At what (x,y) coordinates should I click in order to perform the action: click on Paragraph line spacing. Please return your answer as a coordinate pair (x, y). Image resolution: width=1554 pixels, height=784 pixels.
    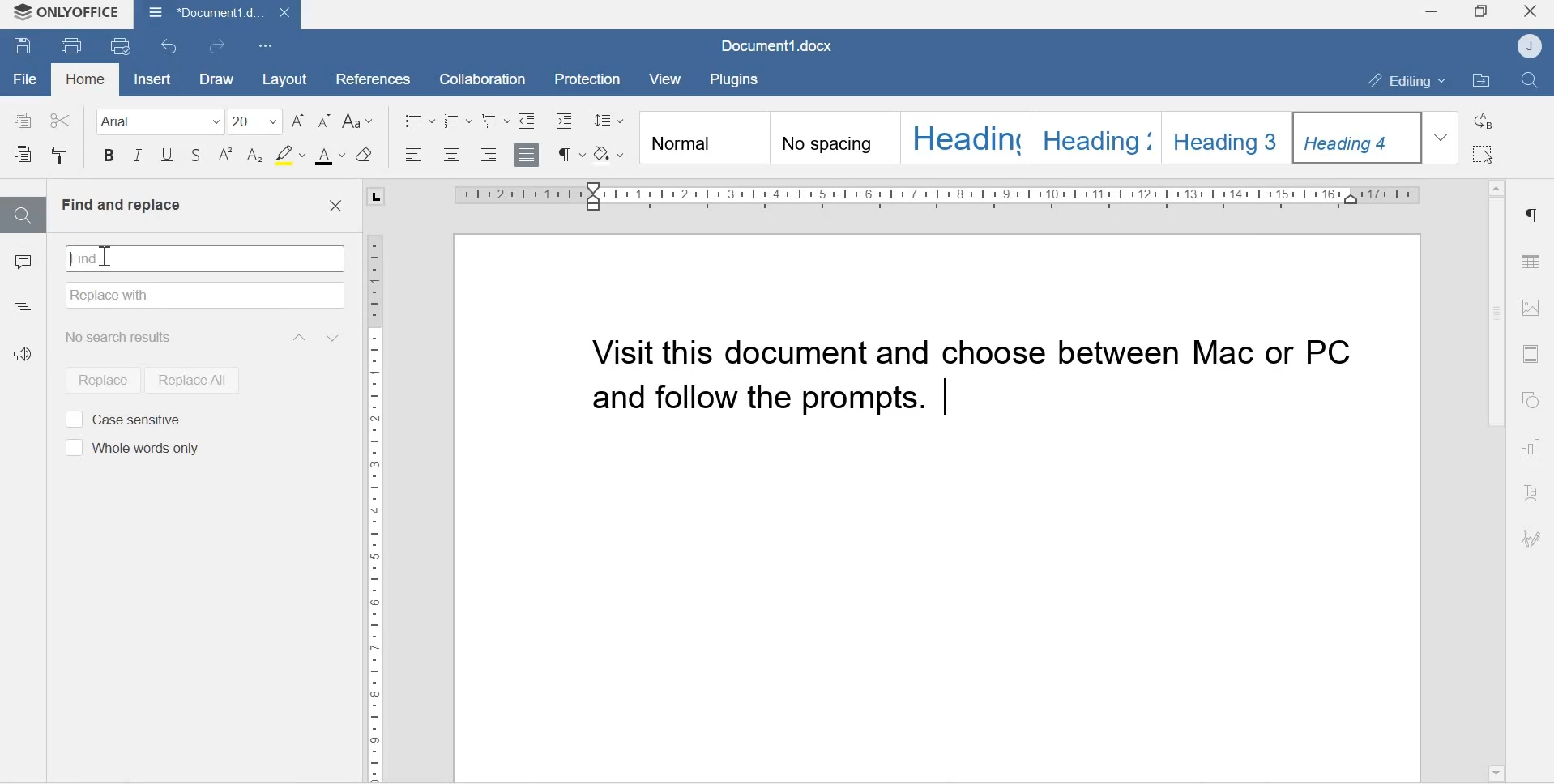
    Looking at the image, I should click on (608, 117).